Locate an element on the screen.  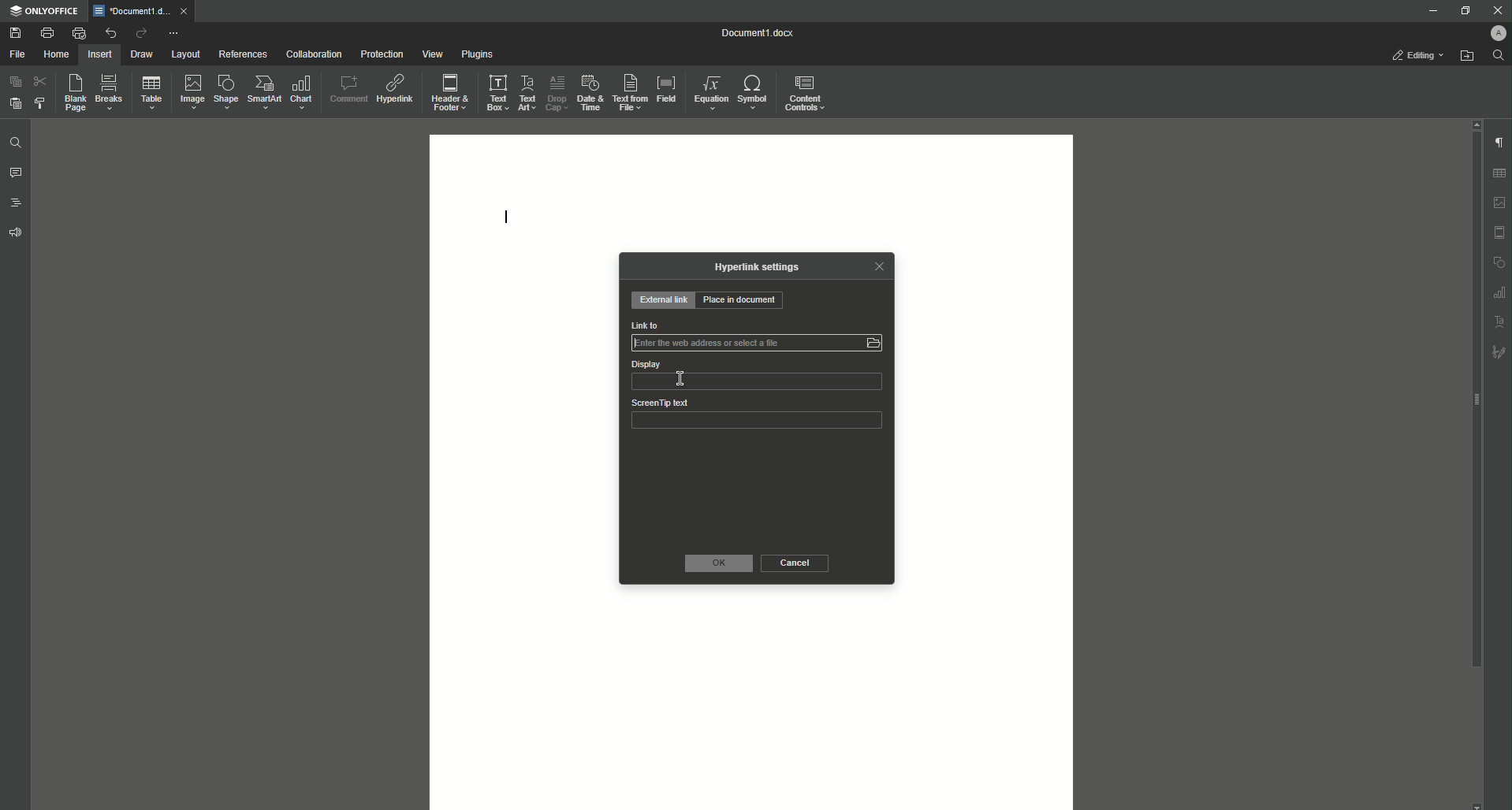
ONLYOFFICE is located at coordinates (44, 12).